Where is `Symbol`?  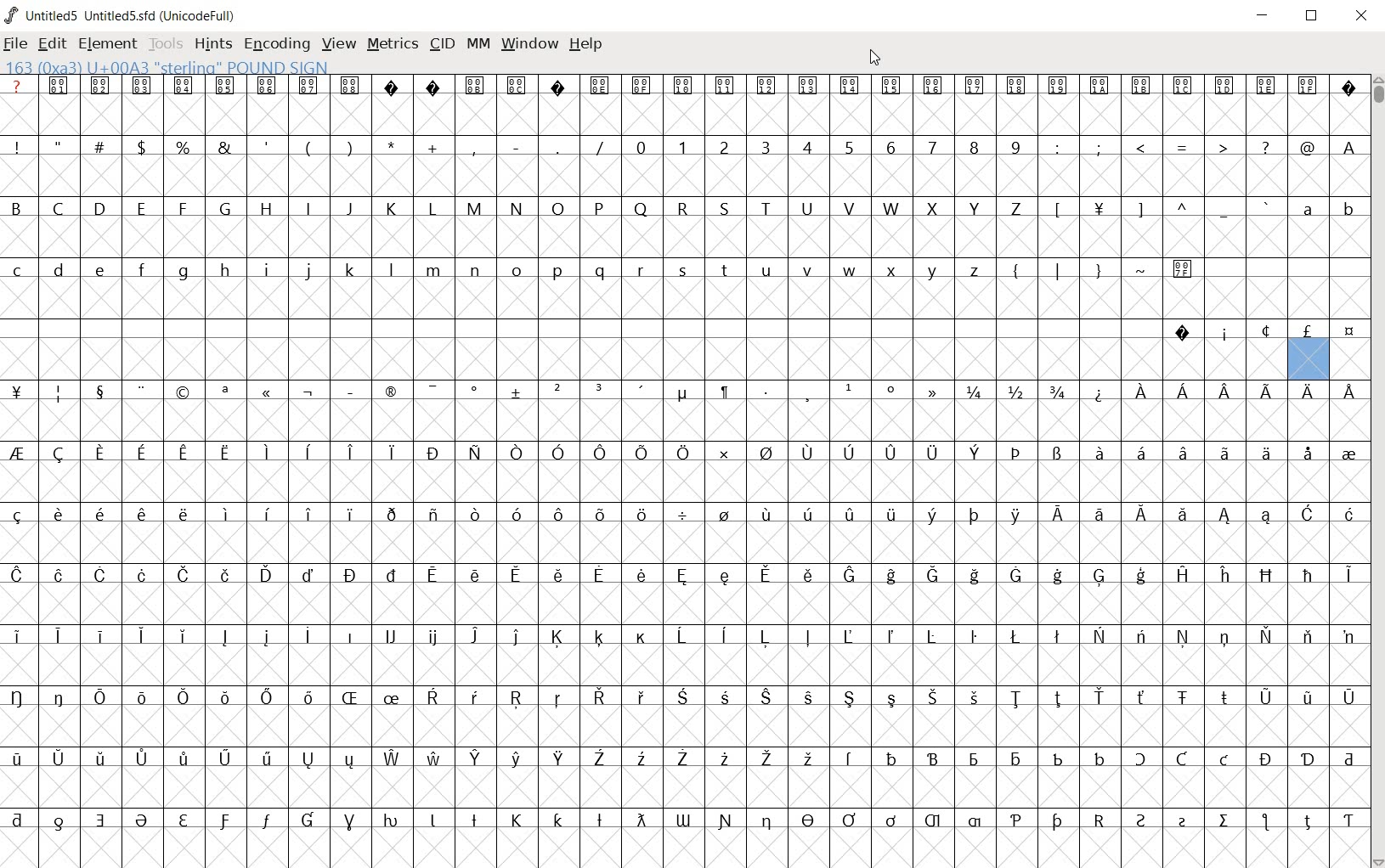 Symbol is located at coordinates (1016, 636).